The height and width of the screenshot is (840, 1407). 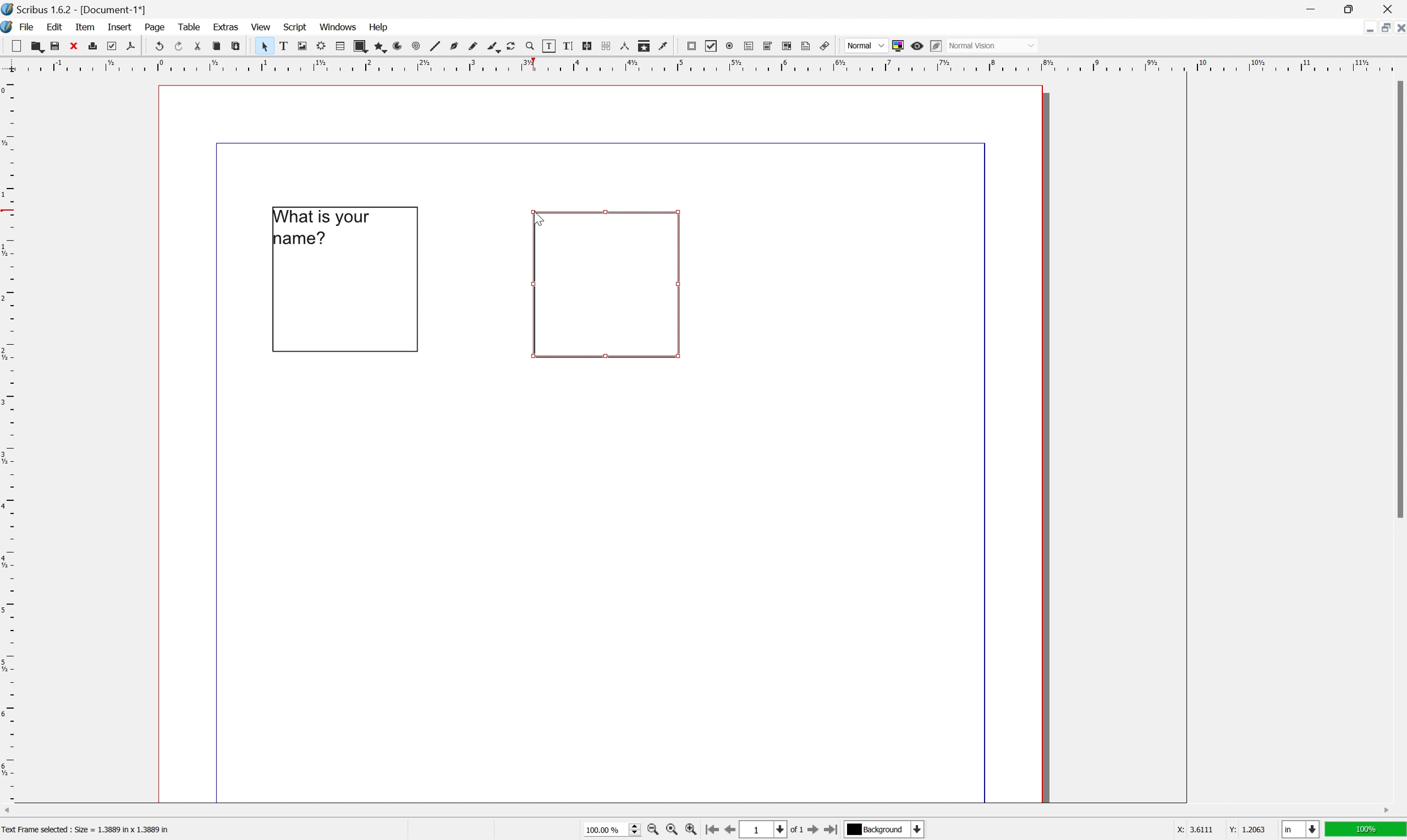 What do you see at coordinates (587, 45) in the screenshot?
I see `link text frames` at bounding box center [587, 45].